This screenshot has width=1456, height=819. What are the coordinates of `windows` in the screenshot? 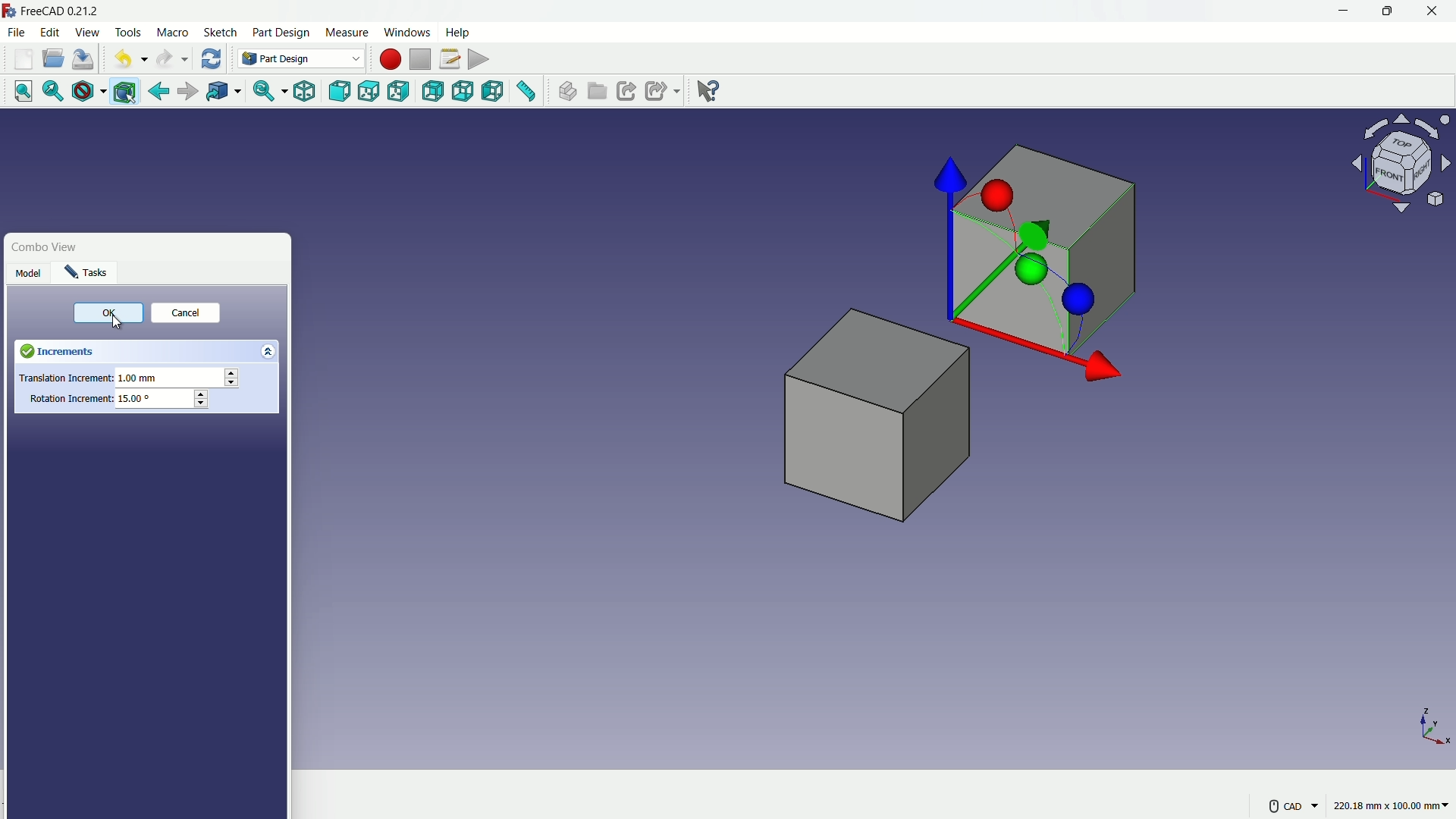 It's located at (406, 32).